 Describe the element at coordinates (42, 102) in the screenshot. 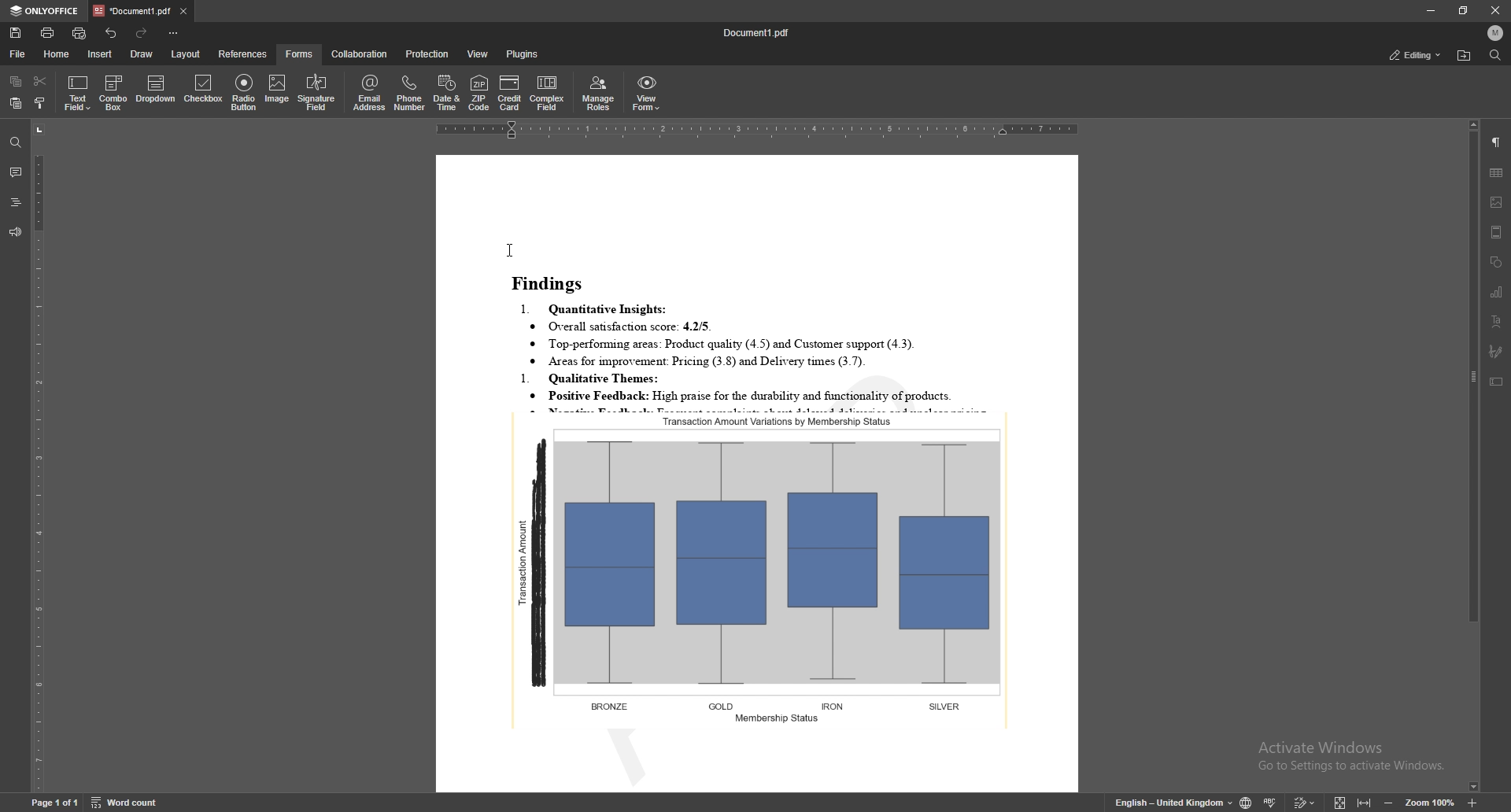

I see `copy style` at that location.